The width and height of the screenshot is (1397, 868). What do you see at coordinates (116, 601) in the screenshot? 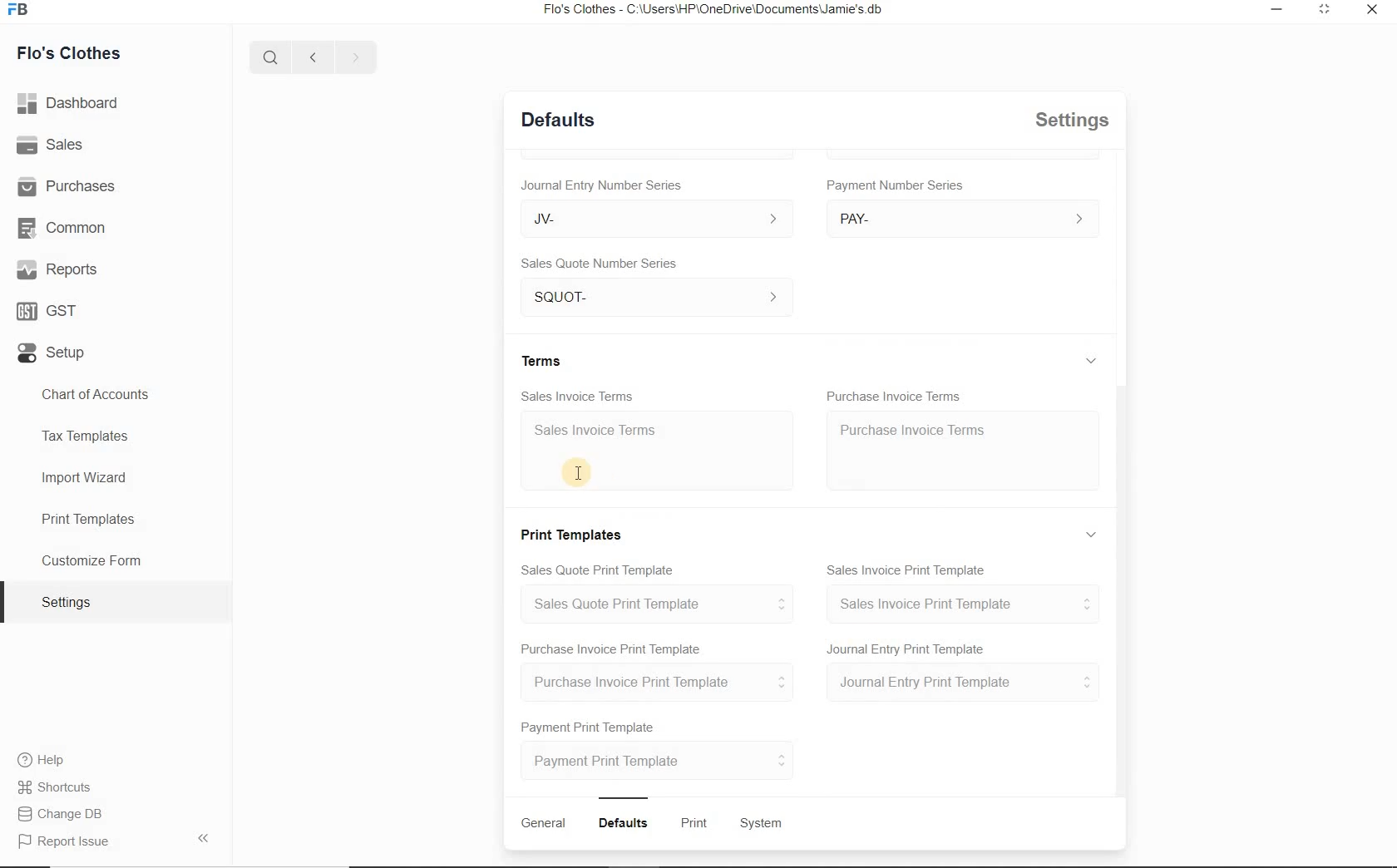
I see `Settings` at bounding box center [116, 601].